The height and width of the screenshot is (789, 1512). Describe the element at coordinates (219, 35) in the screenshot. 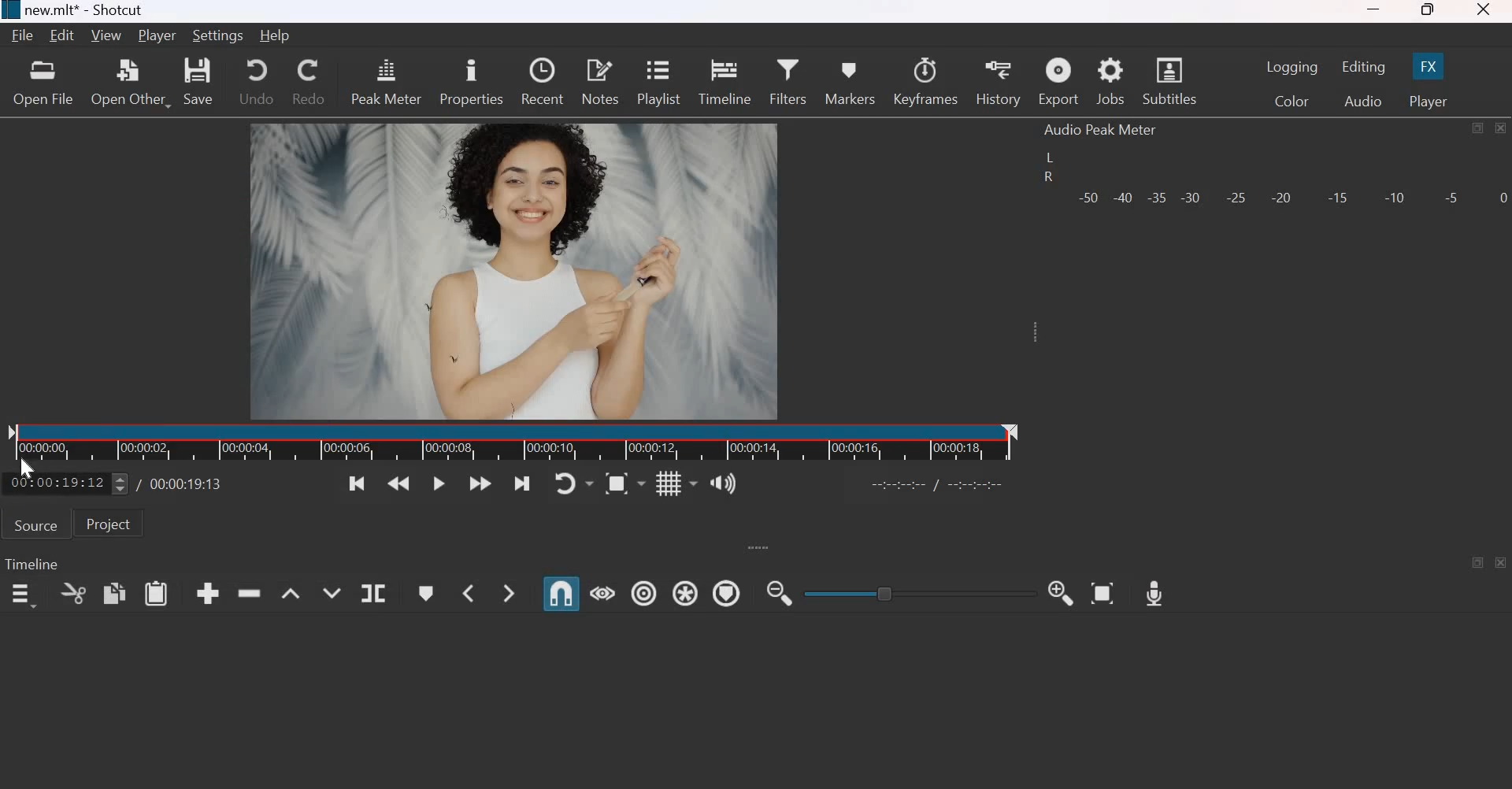

I see `Settings` at that location.